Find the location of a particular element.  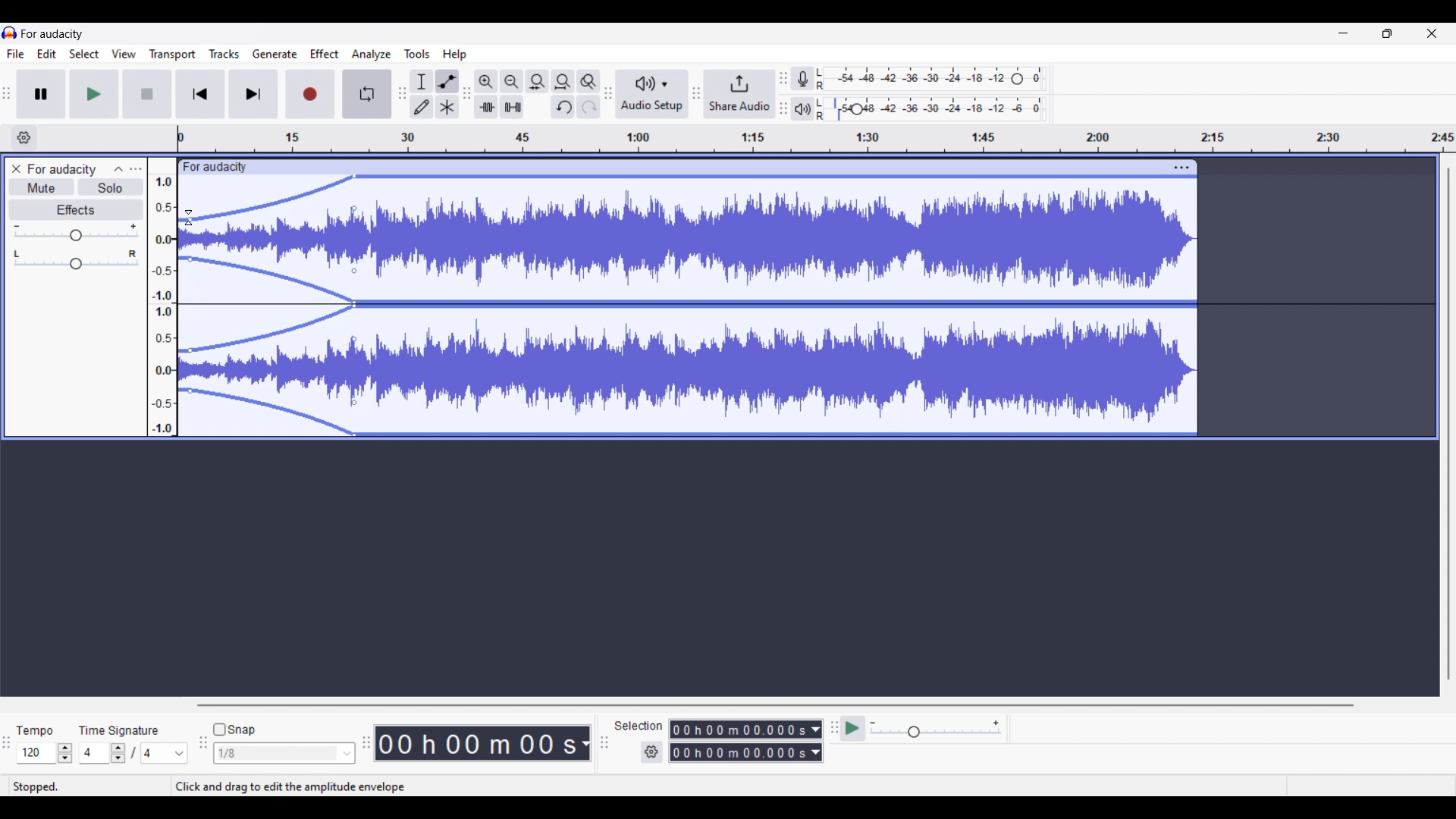

silence audio outside selection is located at coordinates (514, 107).